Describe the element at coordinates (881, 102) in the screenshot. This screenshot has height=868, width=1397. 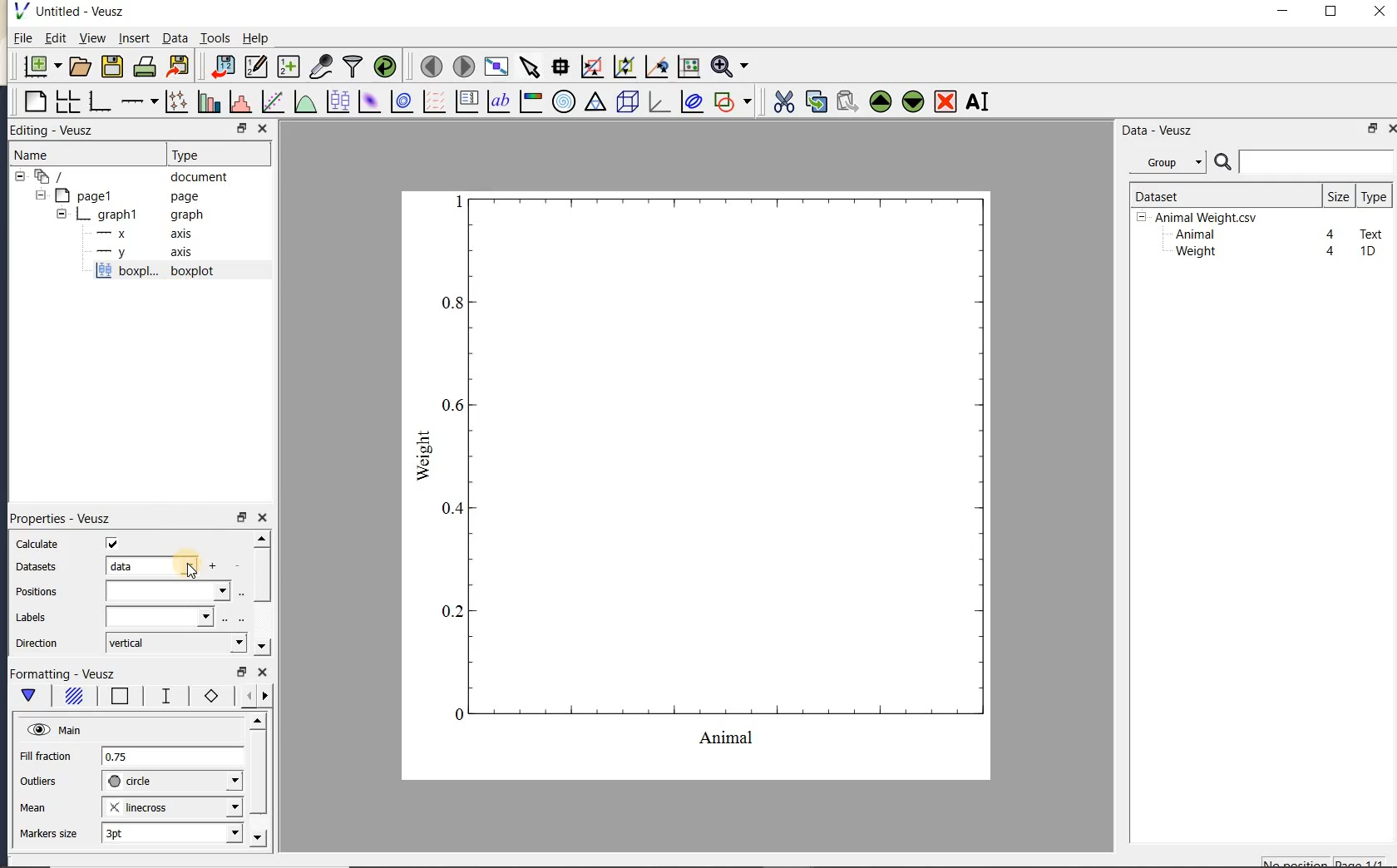
I see `move the selected widget up` at that location.